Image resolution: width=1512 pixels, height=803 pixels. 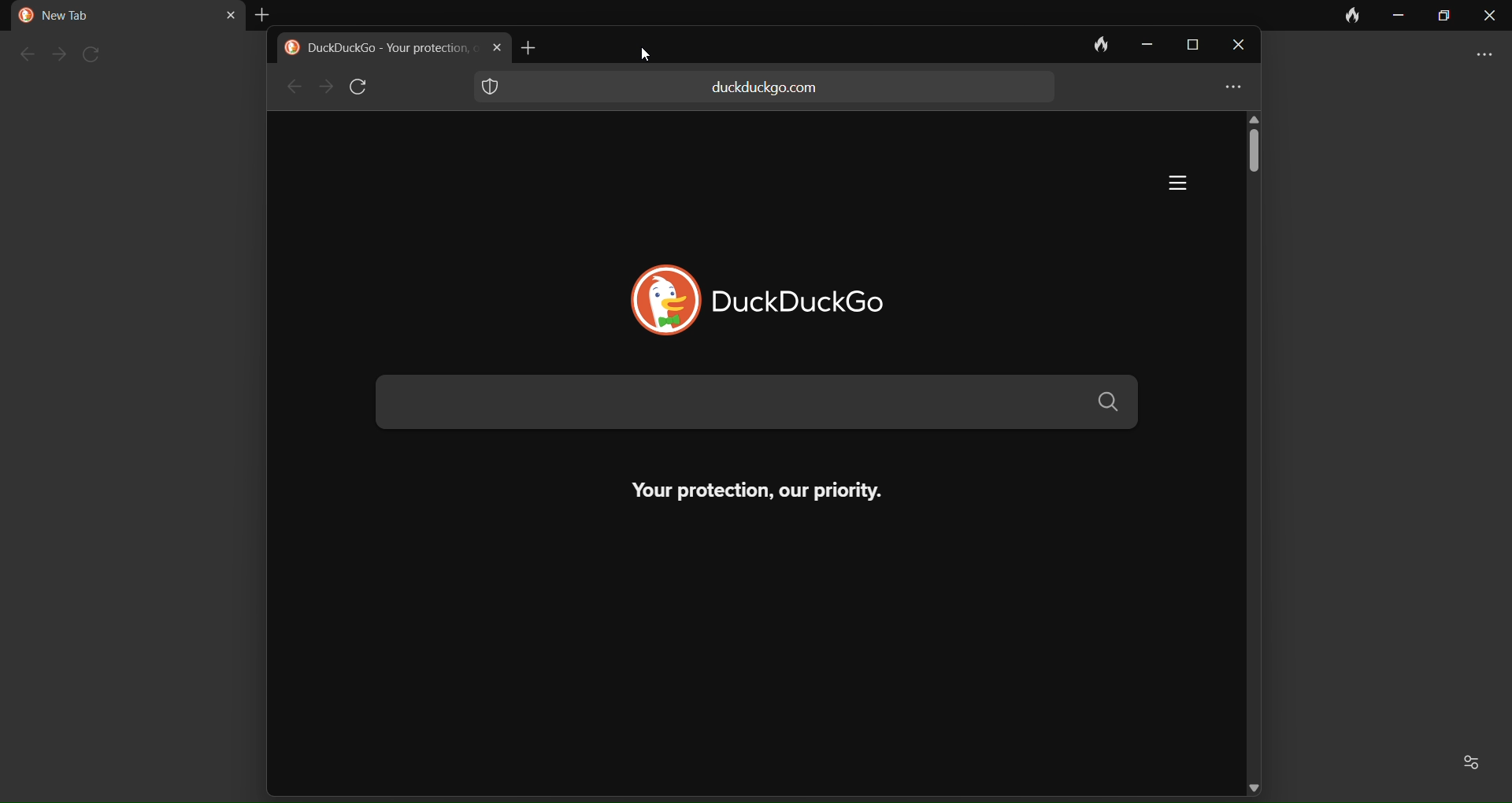 What do you see at coordinates (1354, 16) in the screenshot?
I see `clear data` at bounding box center [1354, 16].